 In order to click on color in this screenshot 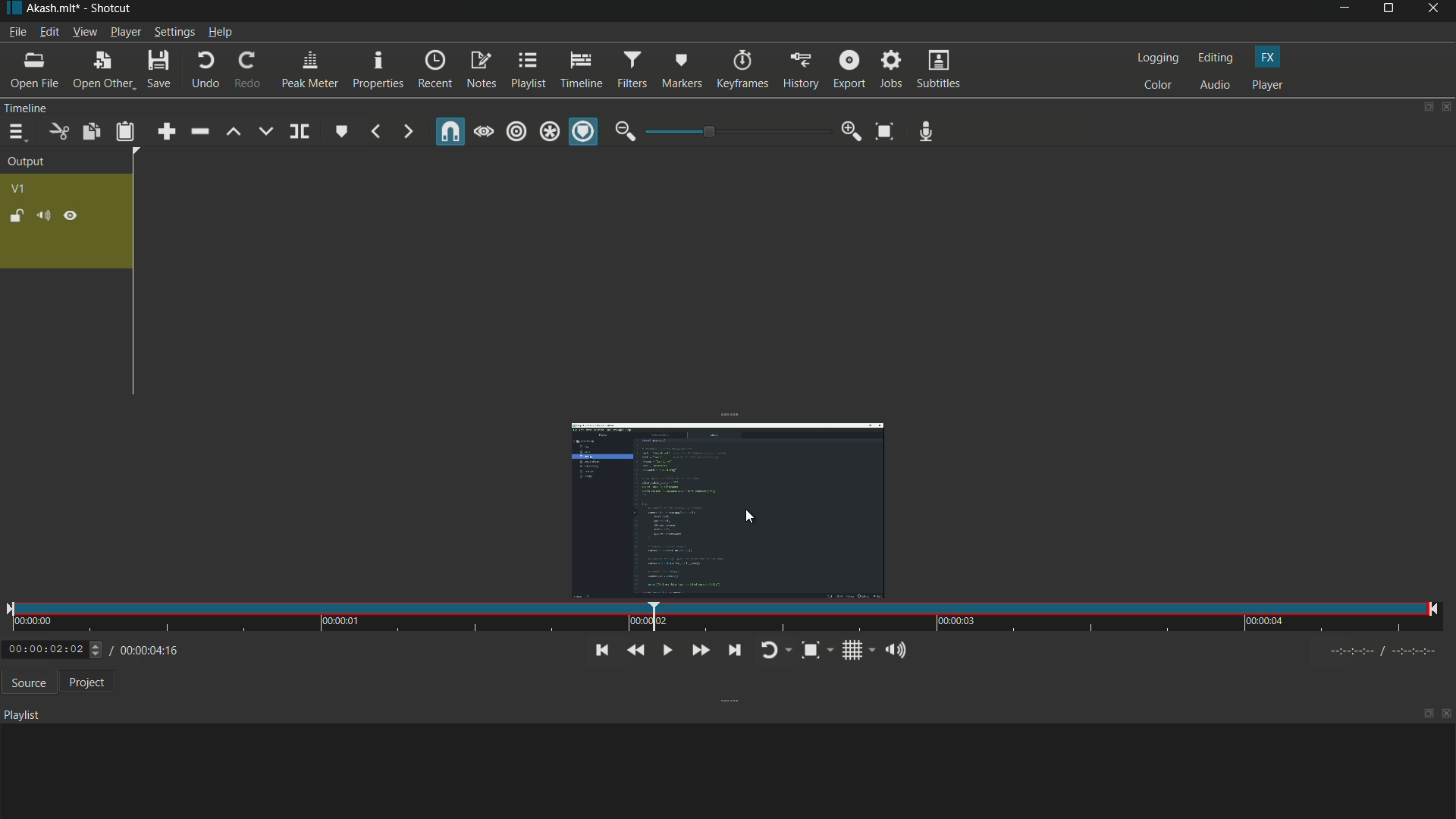, I will do `click(1157, 85)`.